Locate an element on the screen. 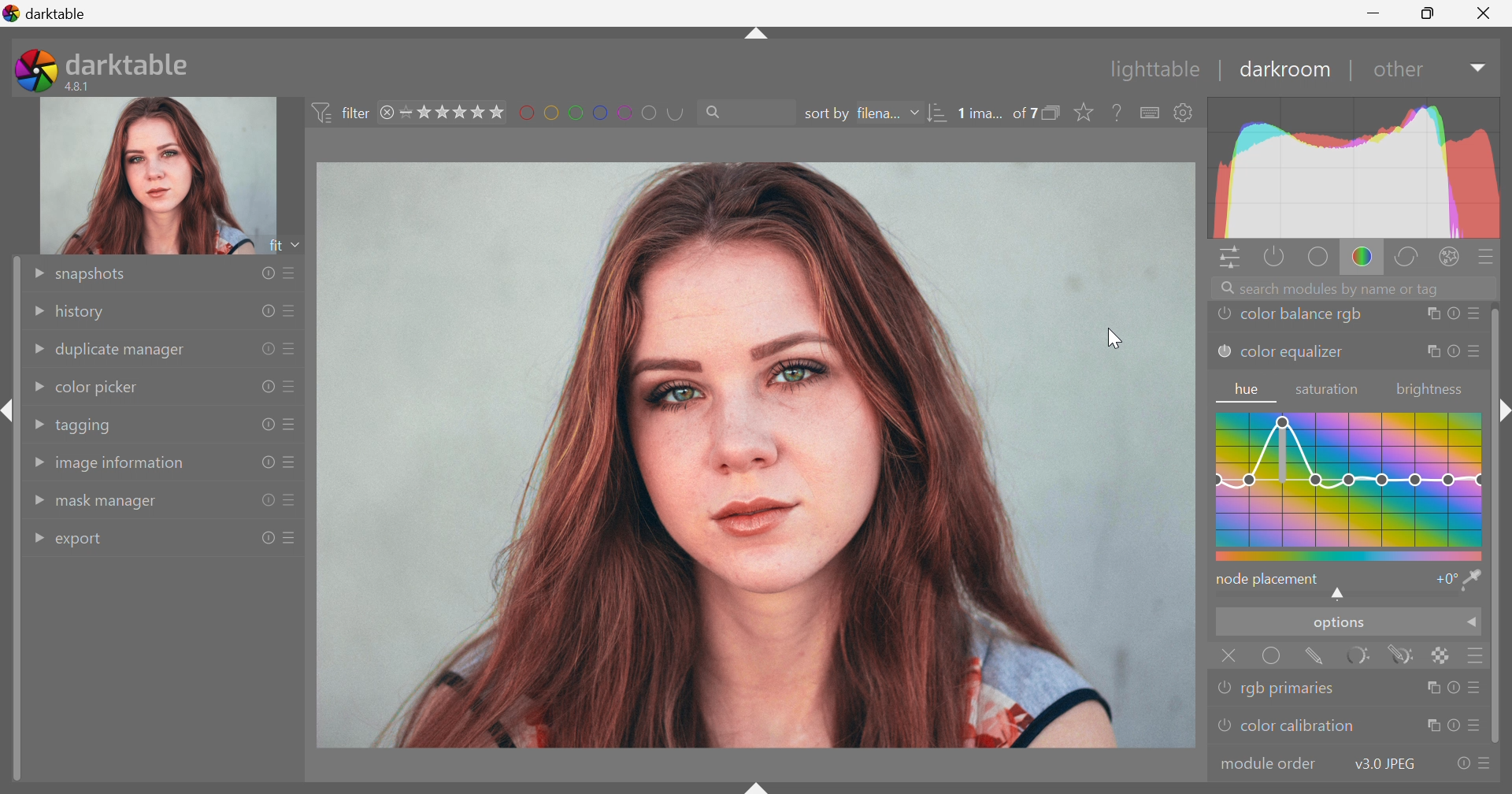  reset is located at coordinates (267, 309).